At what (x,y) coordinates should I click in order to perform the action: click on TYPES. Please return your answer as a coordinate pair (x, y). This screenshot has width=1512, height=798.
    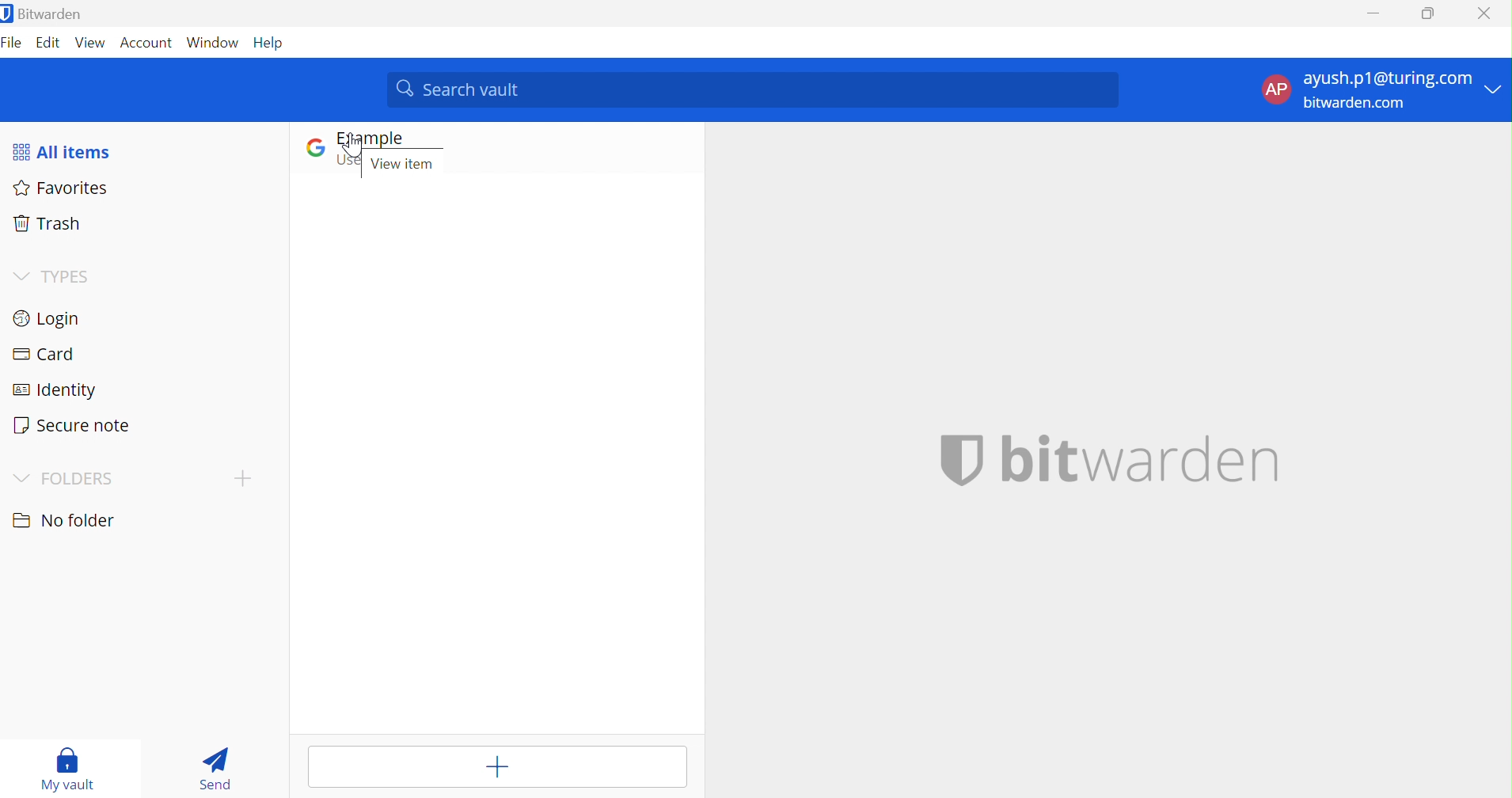
    Looking at the image, I should click on (69, 275).